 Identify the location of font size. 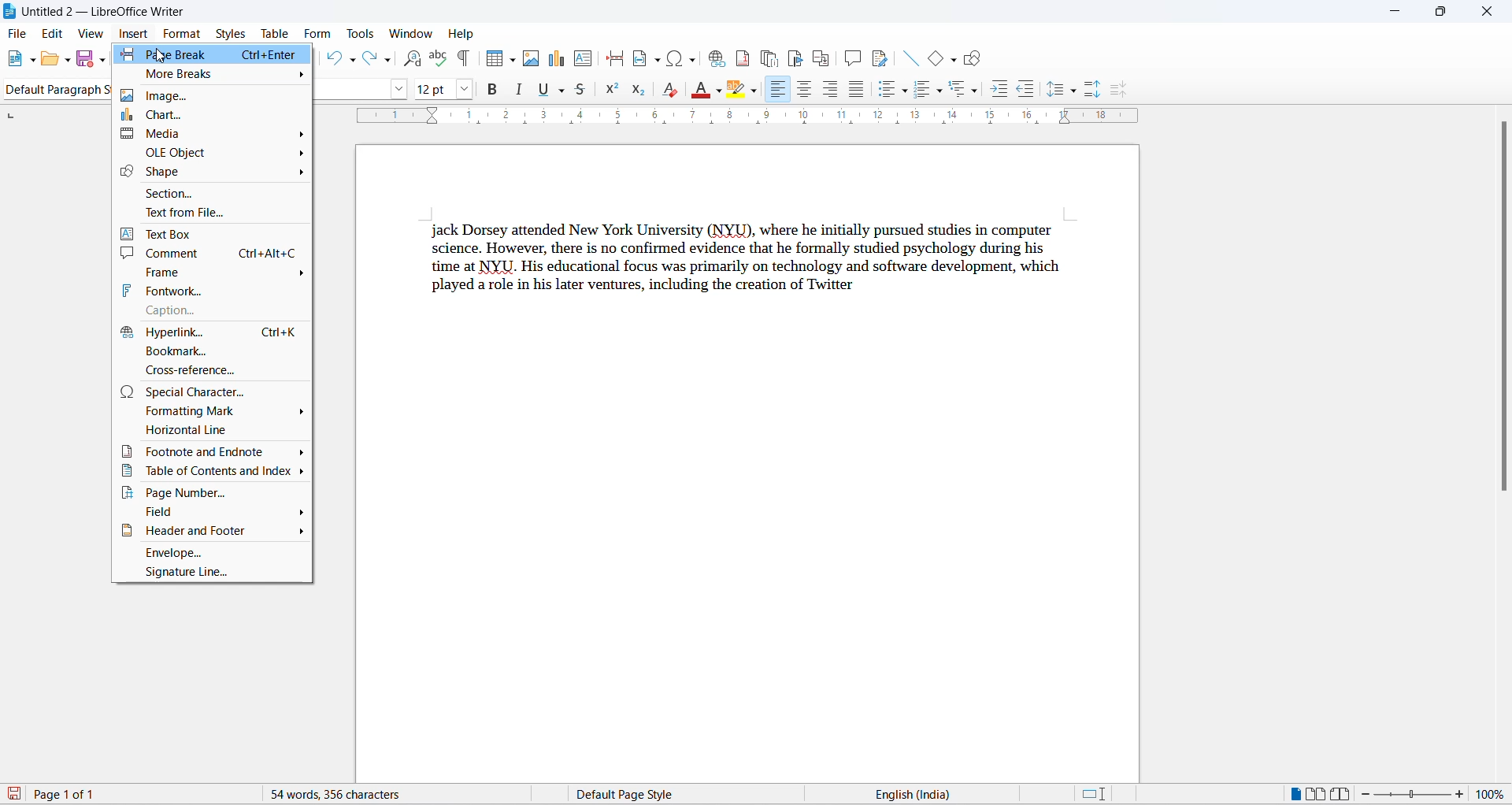
(430, 91).